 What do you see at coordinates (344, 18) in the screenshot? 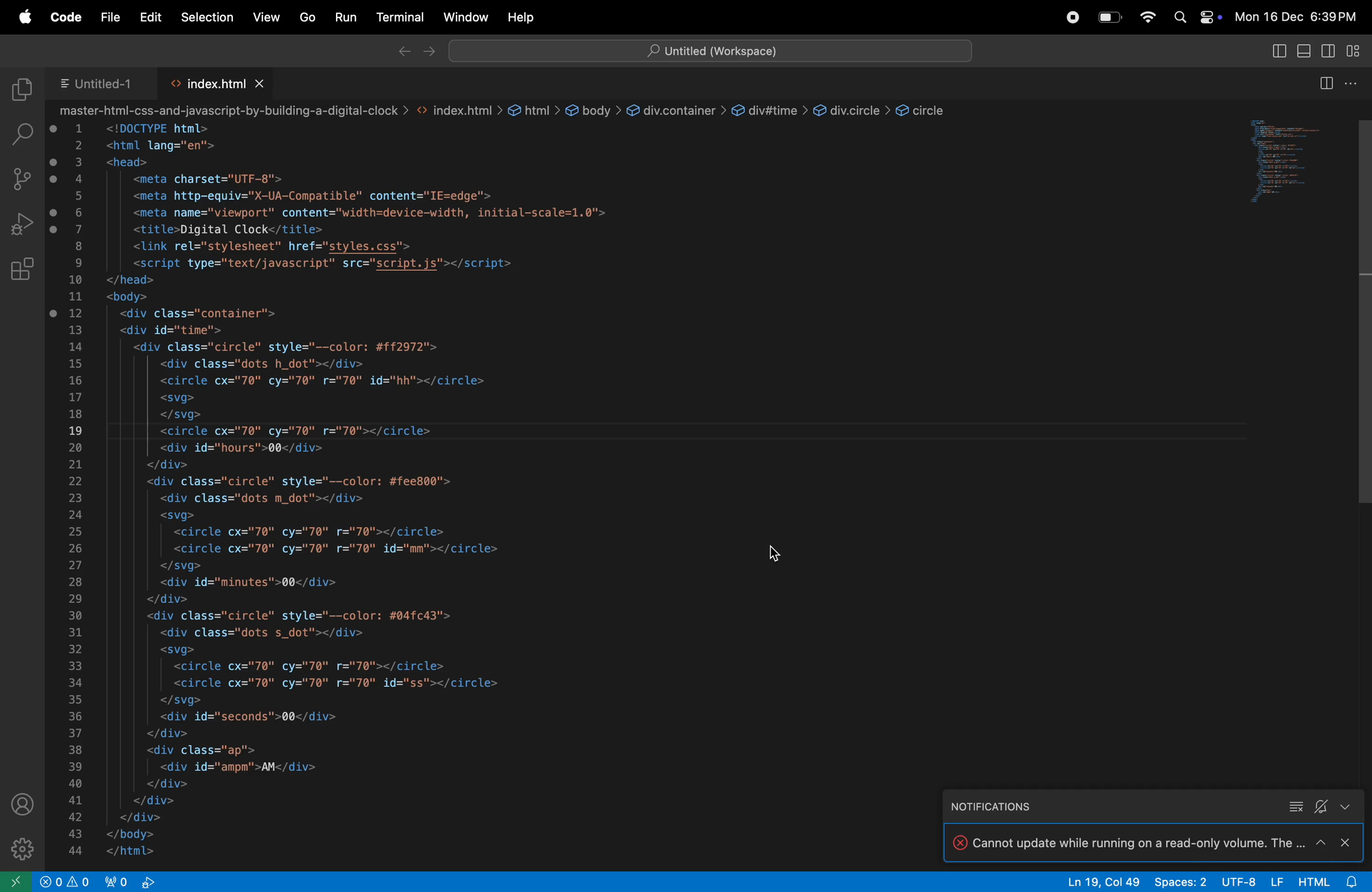
I see `run` at bounding box center [344, 18].